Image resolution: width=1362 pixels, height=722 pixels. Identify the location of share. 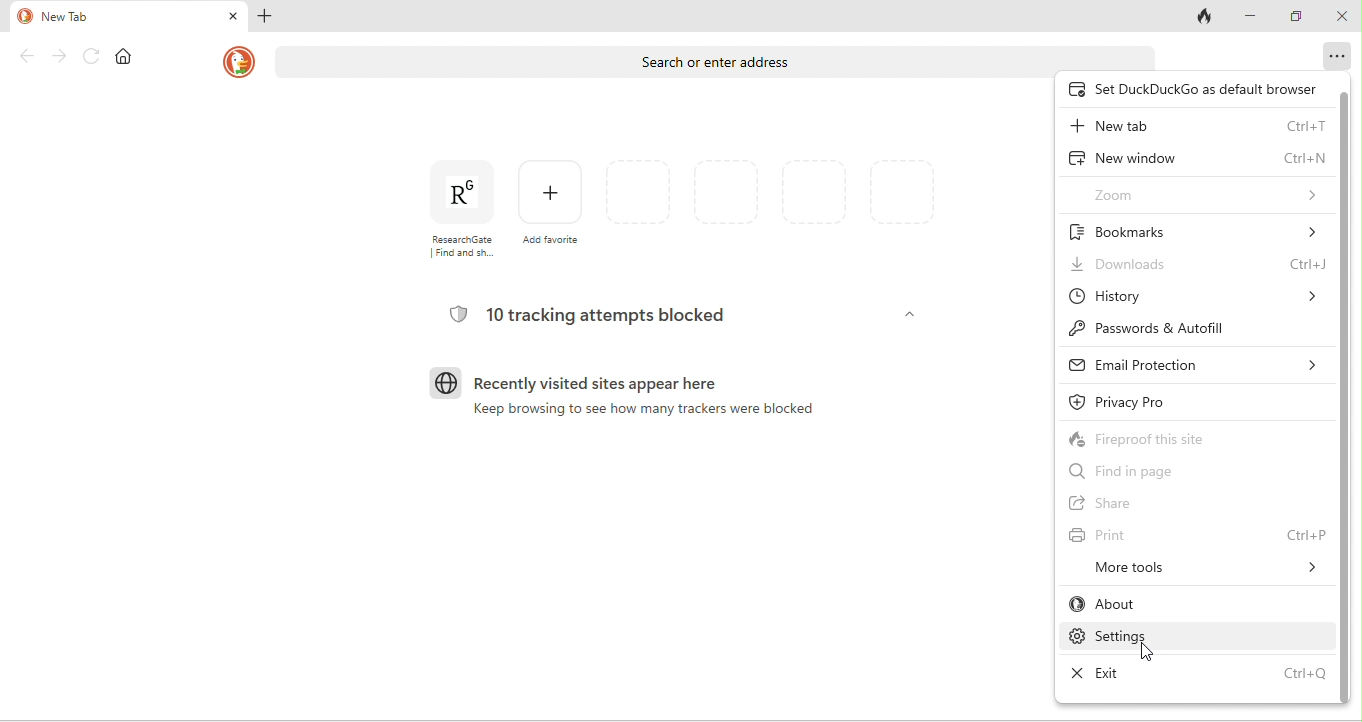
(1171, 503).